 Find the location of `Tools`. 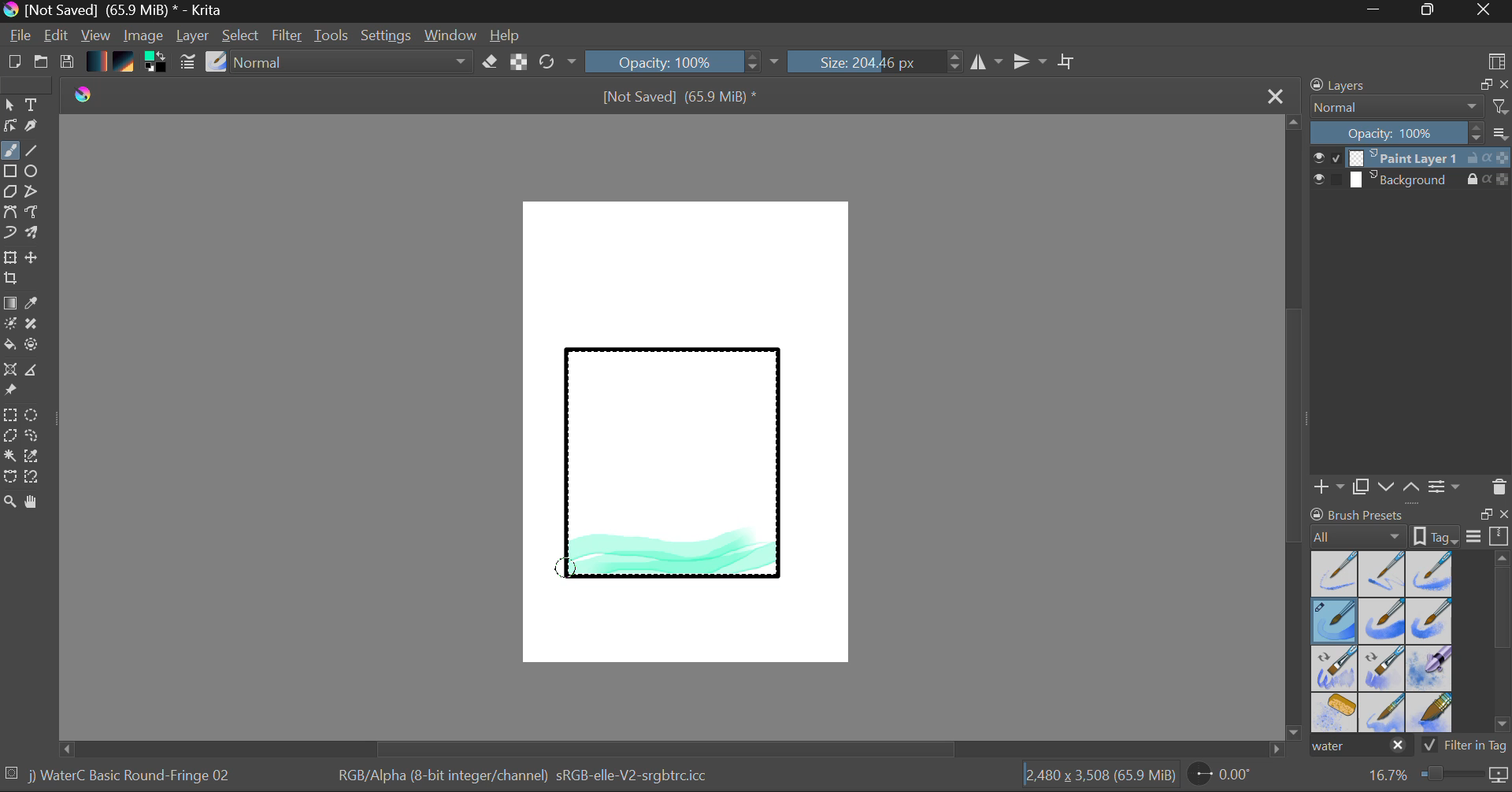

Tools is located at coordinates (332, 36).